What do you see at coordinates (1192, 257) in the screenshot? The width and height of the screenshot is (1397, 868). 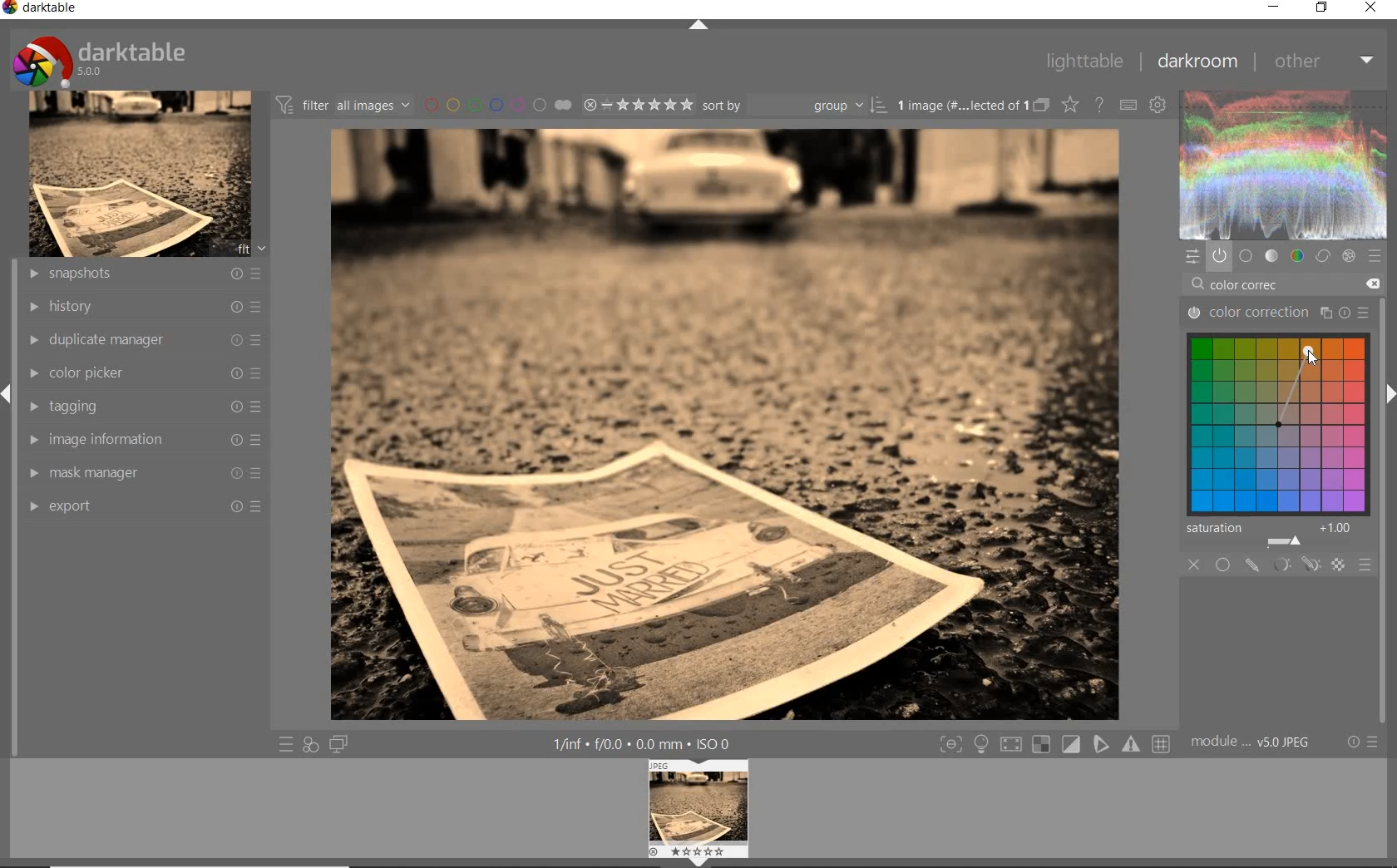 I see `quick access panel` at bounding box center [1192, 257].